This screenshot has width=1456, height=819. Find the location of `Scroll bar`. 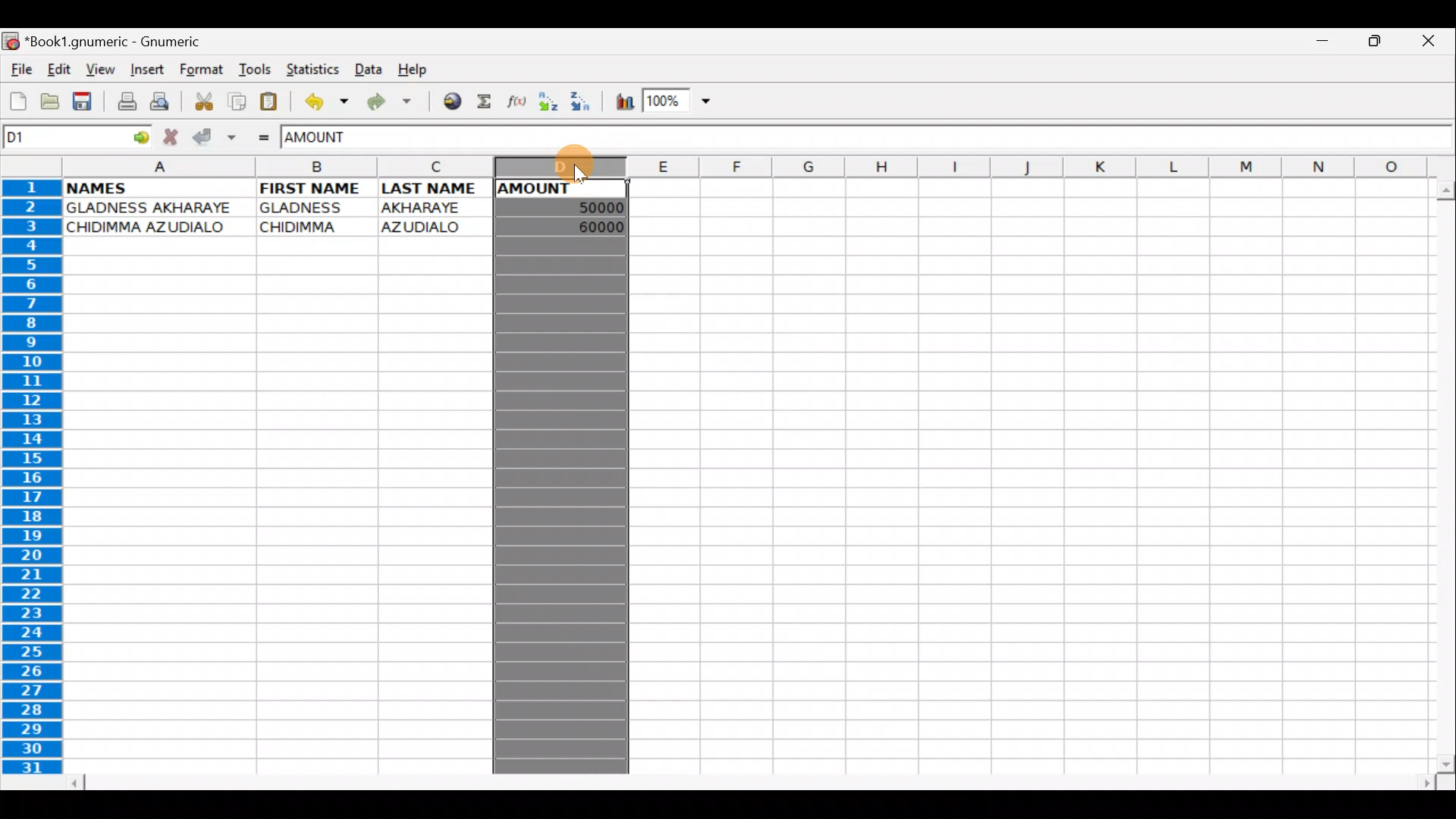

Scroll bar is located at coordinates (745, 780).